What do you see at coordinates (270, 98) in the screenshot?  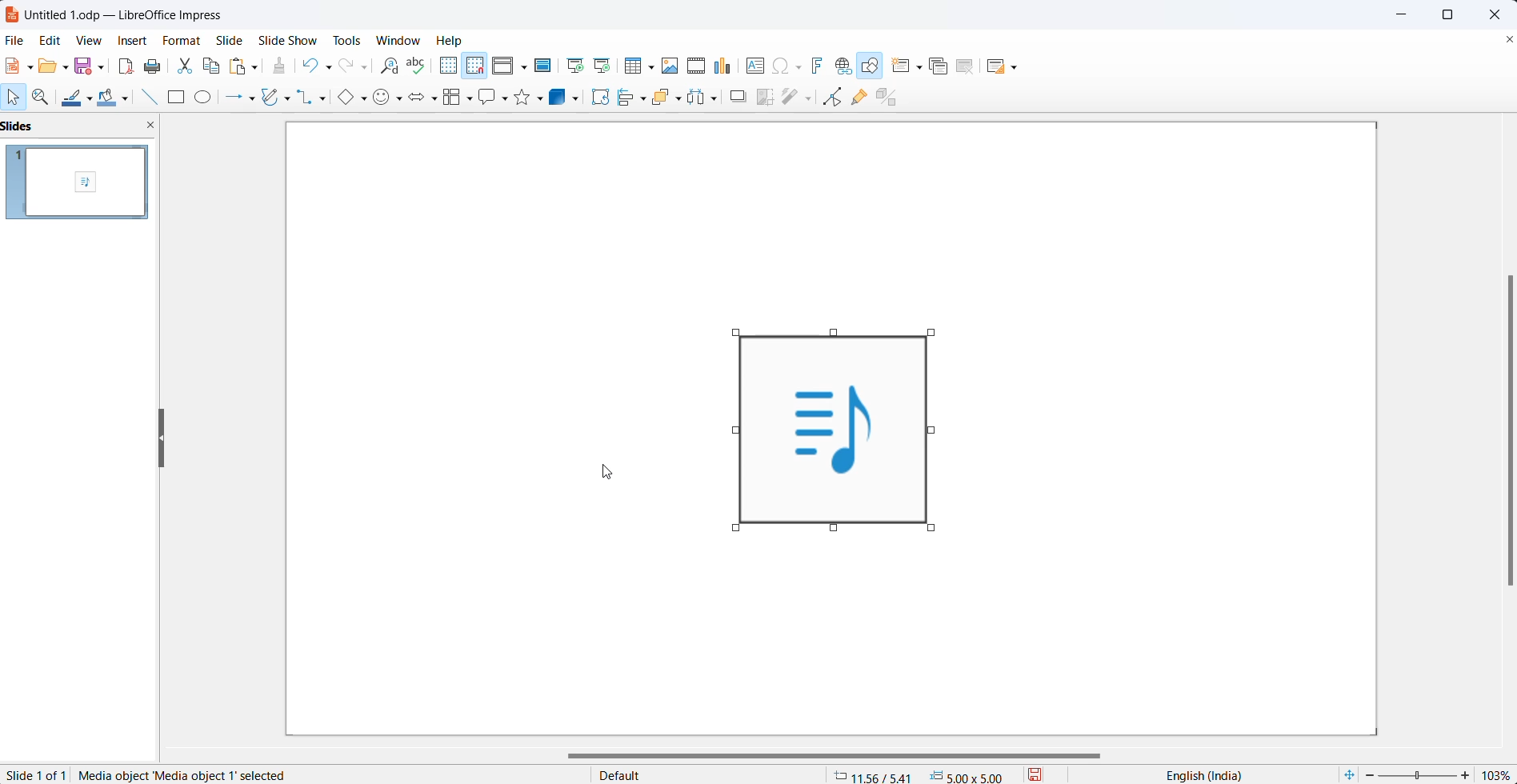 I see `curve and polygons` at bounding box center [270, 98].